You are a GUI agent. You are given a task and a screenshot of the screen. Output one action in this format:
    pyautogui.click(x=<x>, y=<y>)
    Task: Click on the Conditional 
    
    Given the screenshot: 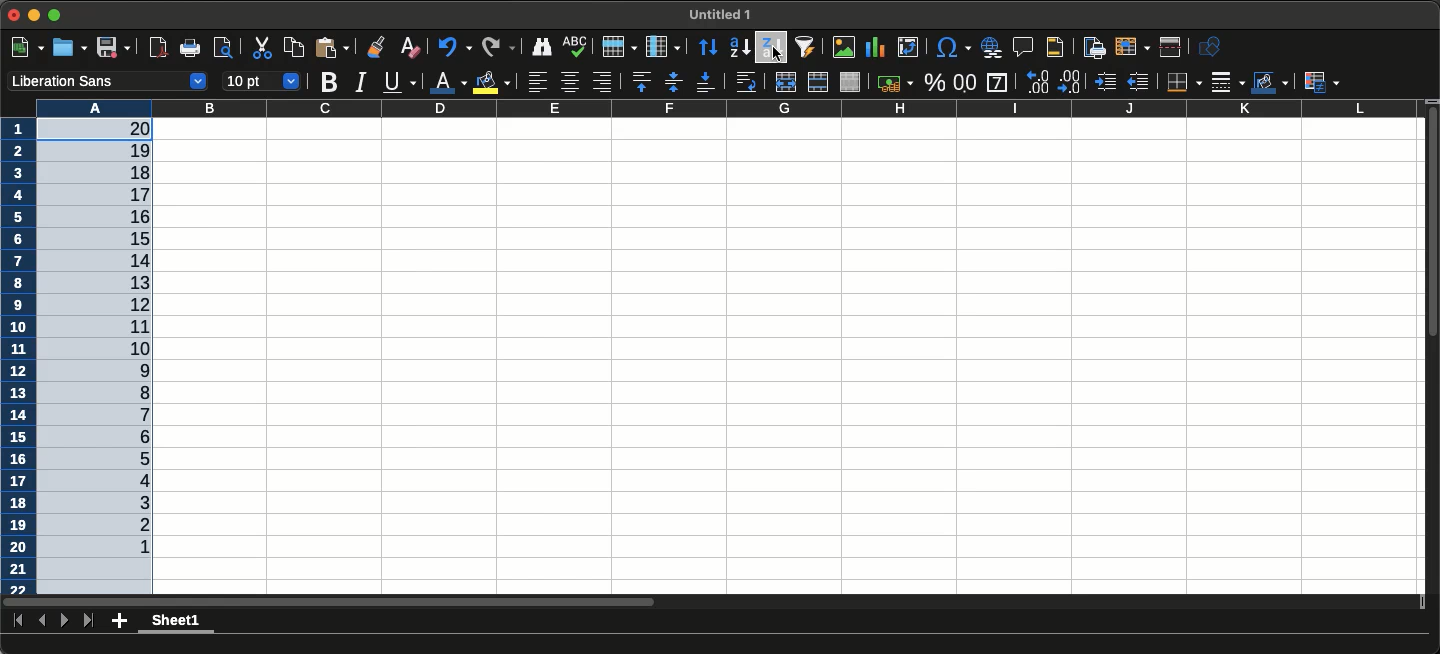 What is the action you would take?
    pyautogui.click(x=1322, y=81)
    